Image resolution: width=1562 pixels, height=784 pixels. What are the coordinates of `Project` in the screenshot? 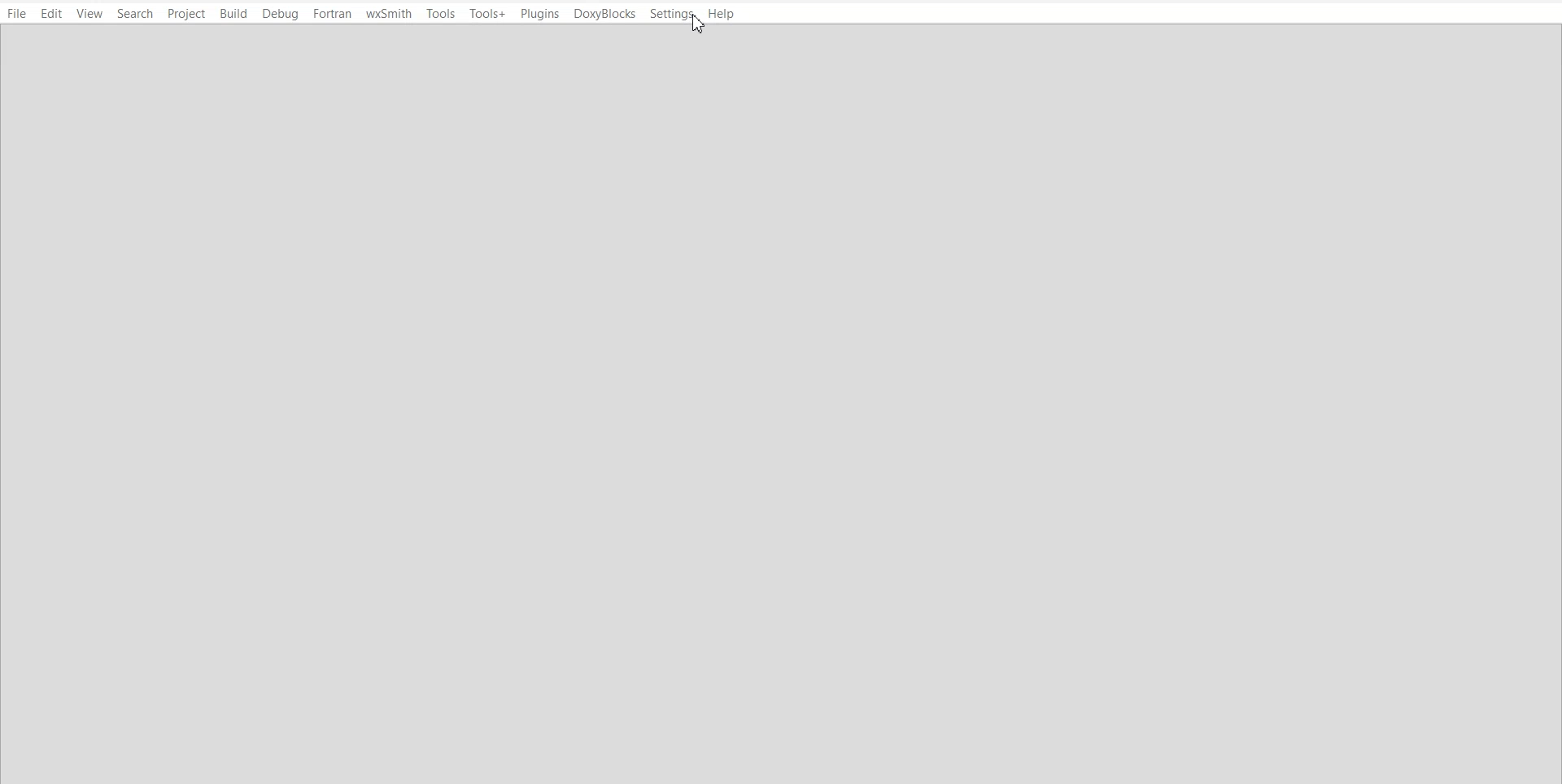 It's located at (188, 13).